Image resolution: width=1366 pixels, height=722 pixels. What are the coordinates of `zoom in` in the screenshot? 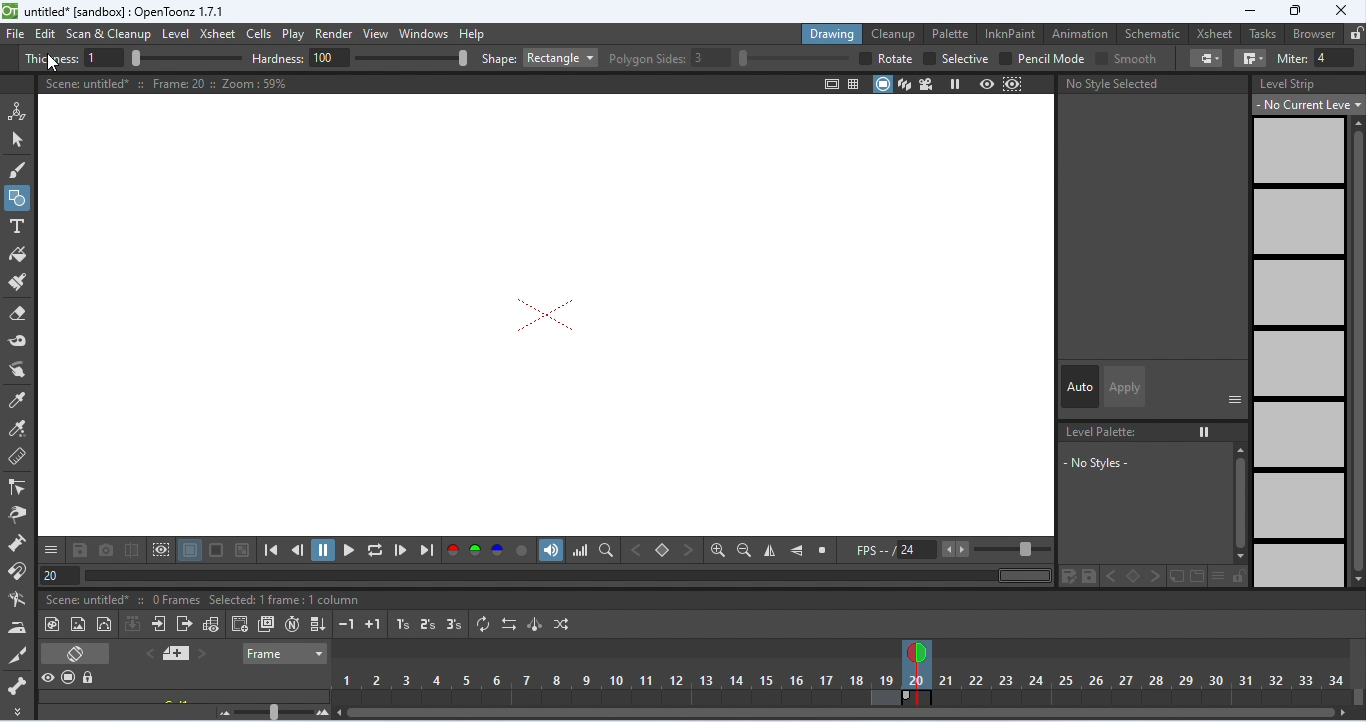 It's located at (718, 551).